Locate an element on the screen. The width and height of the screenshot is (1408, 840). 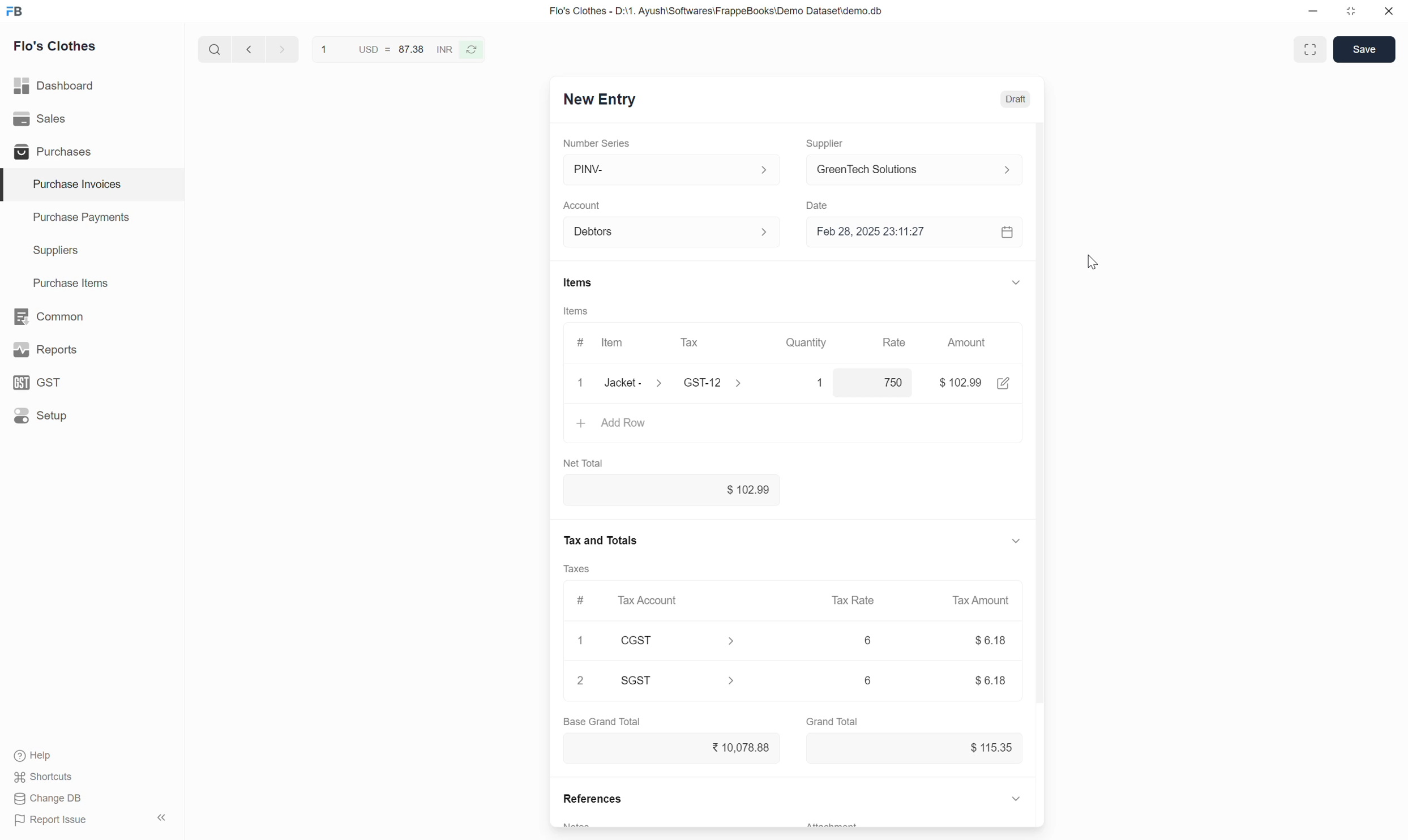
Cursor is located at coordinates (1093, 262).